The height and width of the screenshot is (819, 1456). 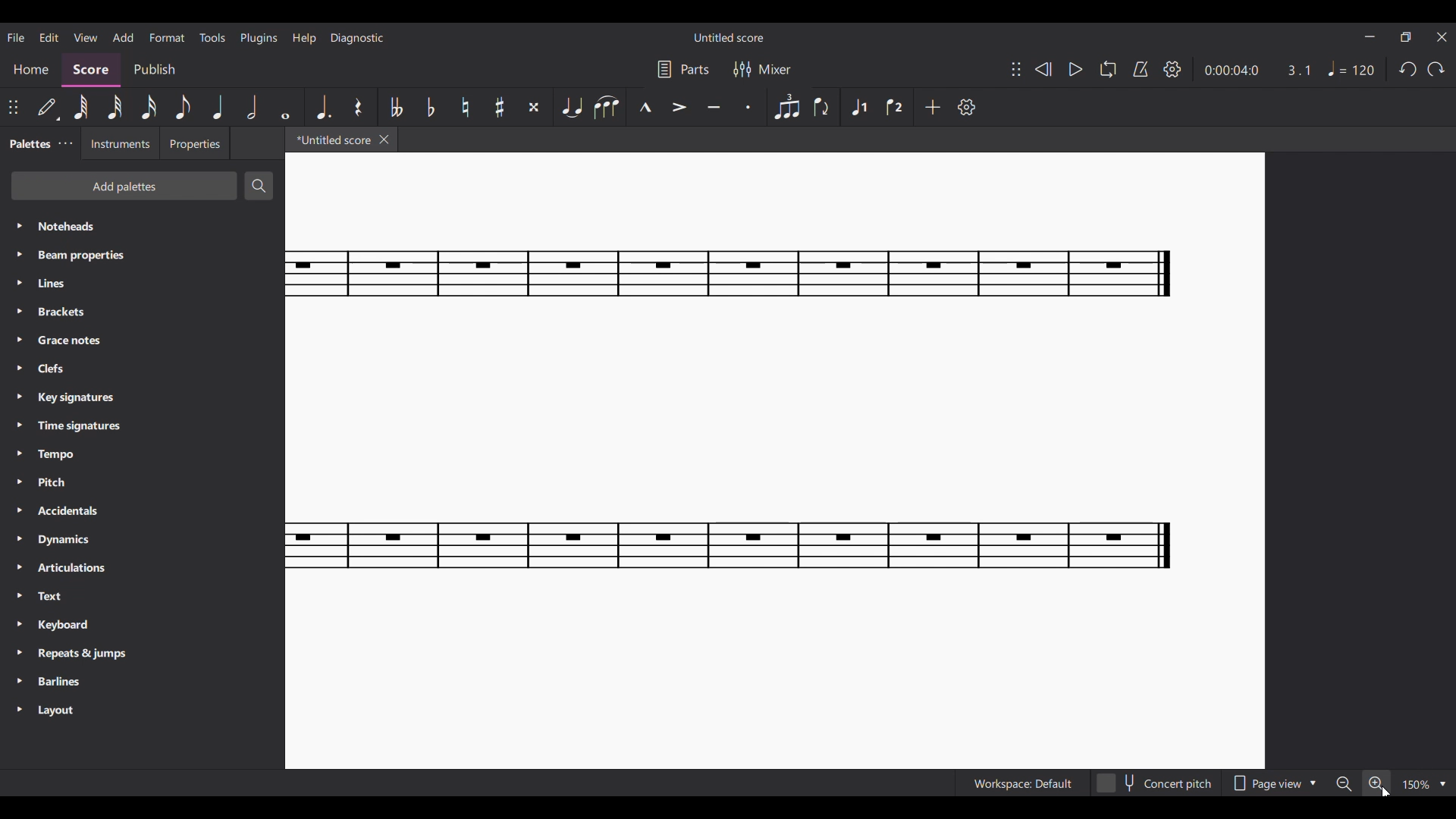 I want to click on Voice 2, so click(x=894, y=107).